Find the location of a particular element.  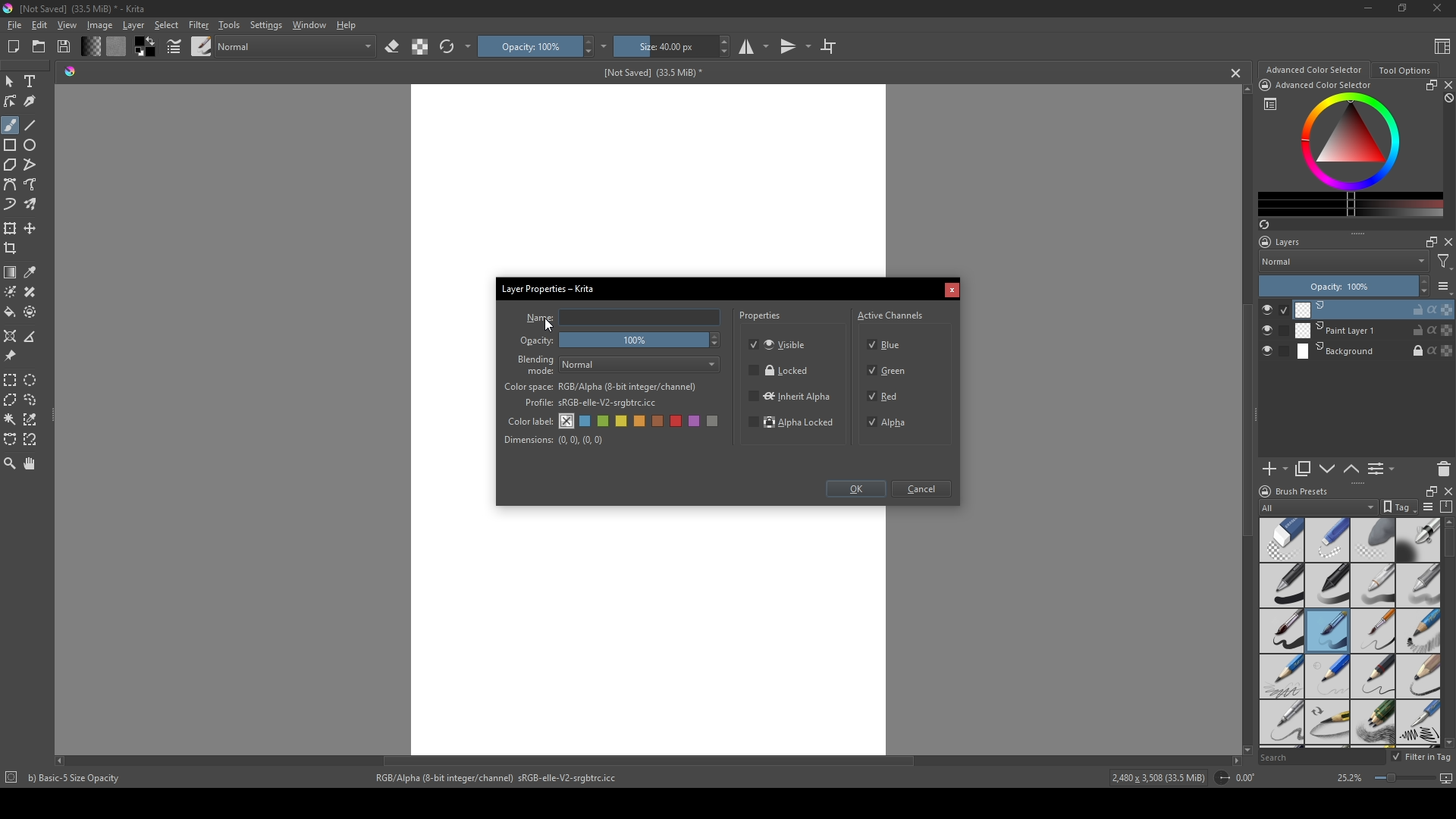

bezier is located at coordinates (11, 185).